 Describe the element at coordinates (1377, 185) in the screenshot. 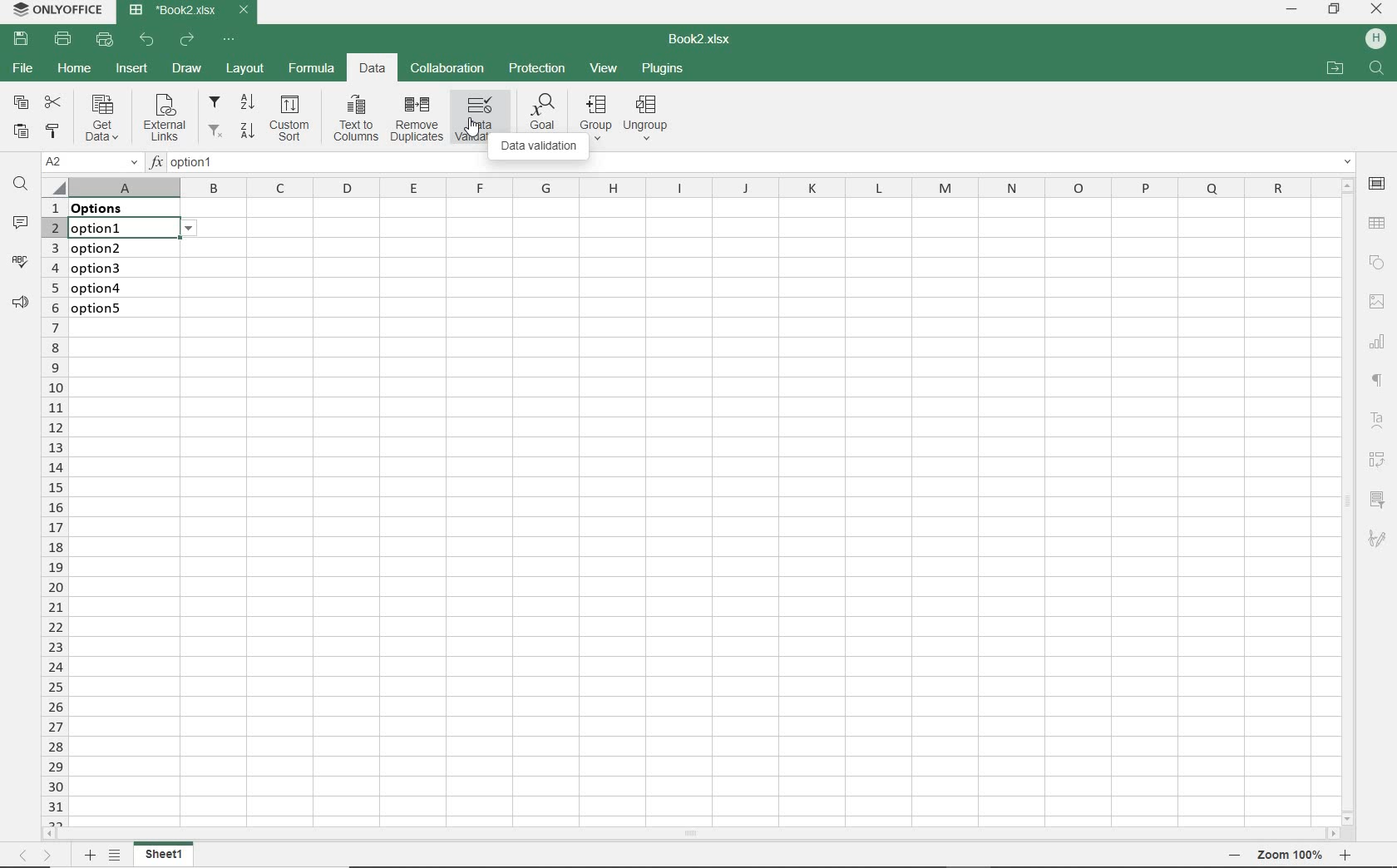

I see `CELL SETTINGS` at that location.